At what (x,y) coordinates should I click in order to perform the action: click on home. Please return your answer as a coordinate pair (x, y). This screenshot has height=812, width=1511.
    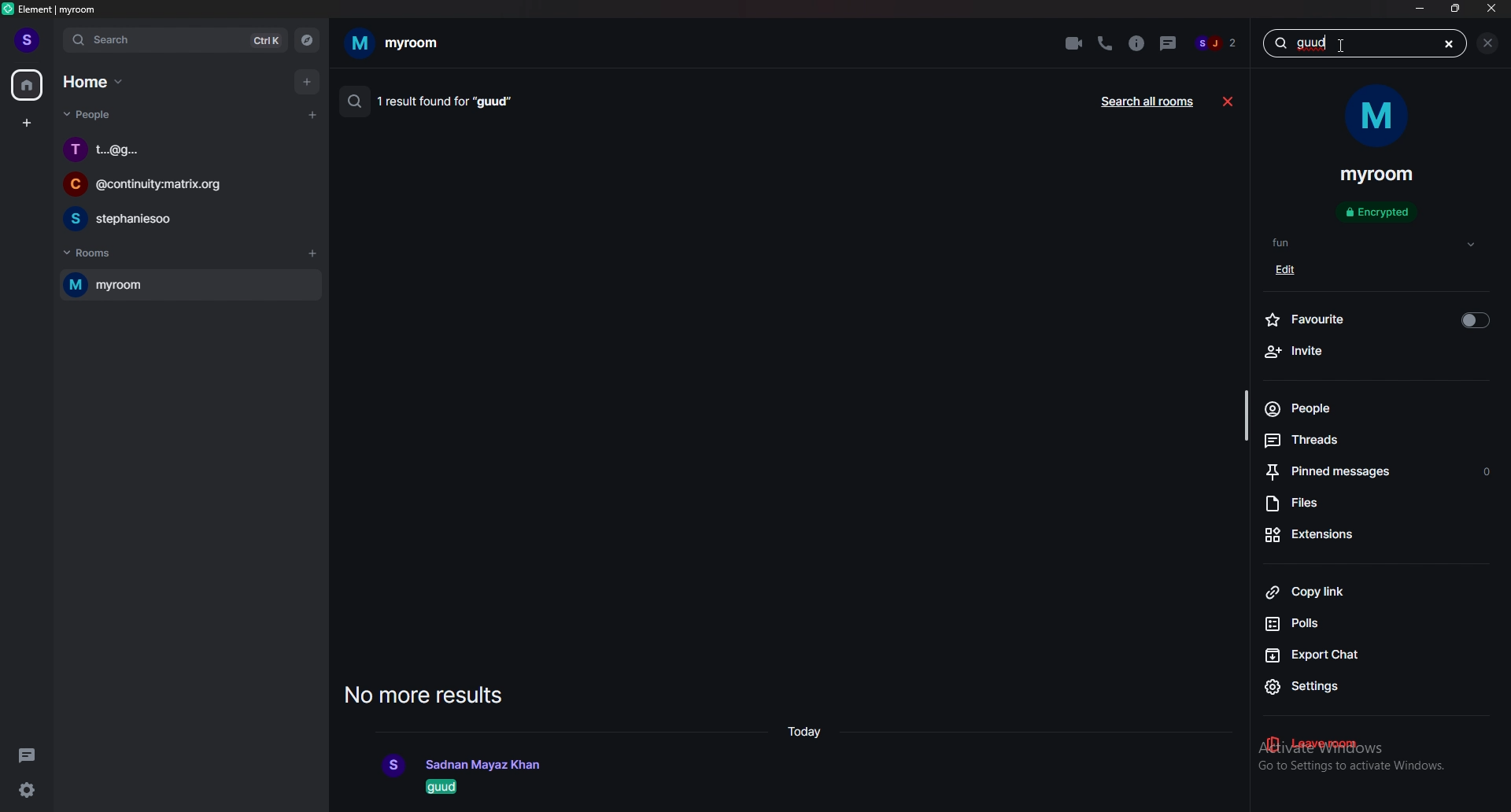
    Looking at the image, I should click on (97, 82).